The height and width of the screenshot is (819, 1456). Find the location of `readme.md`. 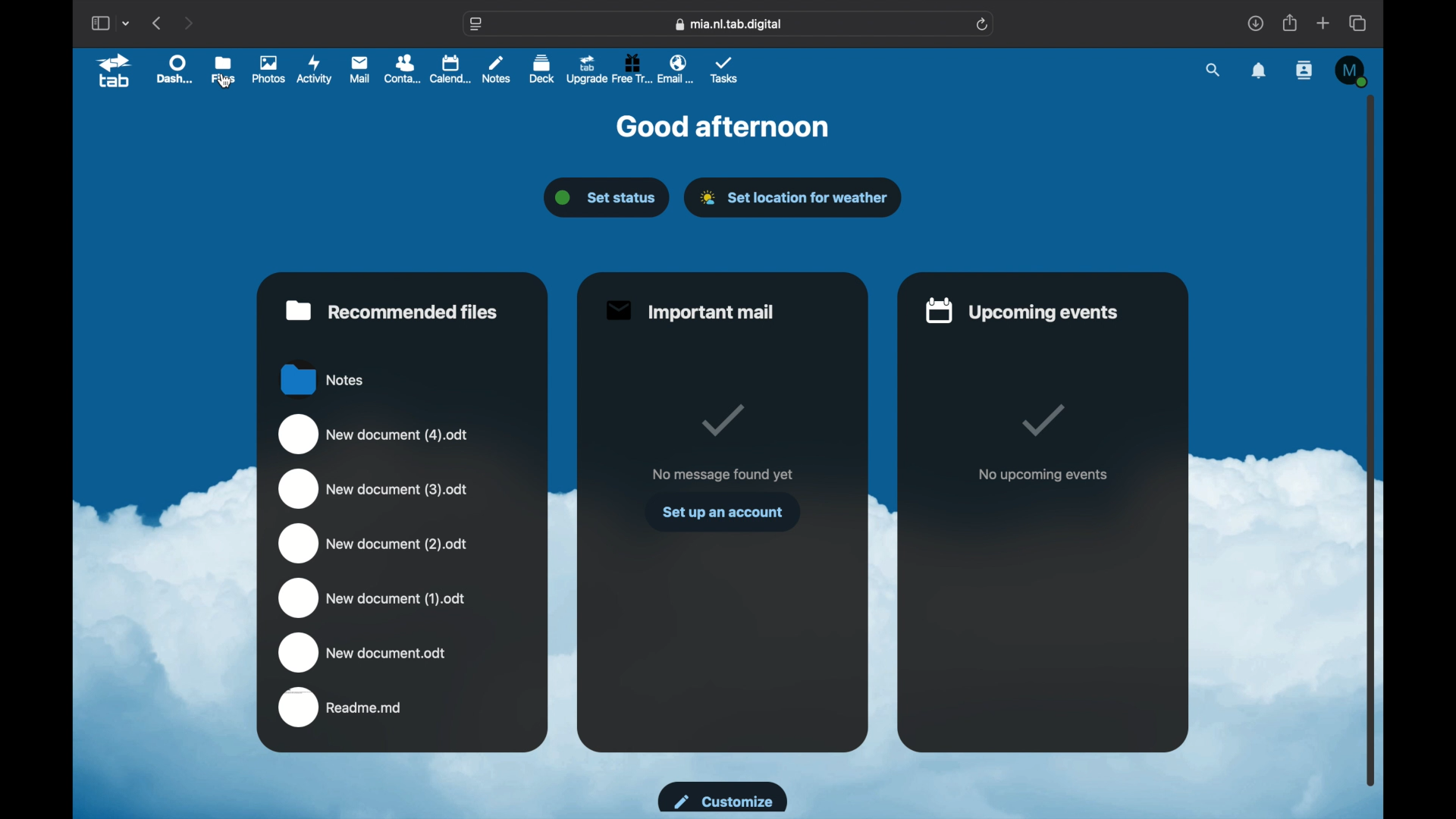

readme.md is located at coordinates (340, 708).